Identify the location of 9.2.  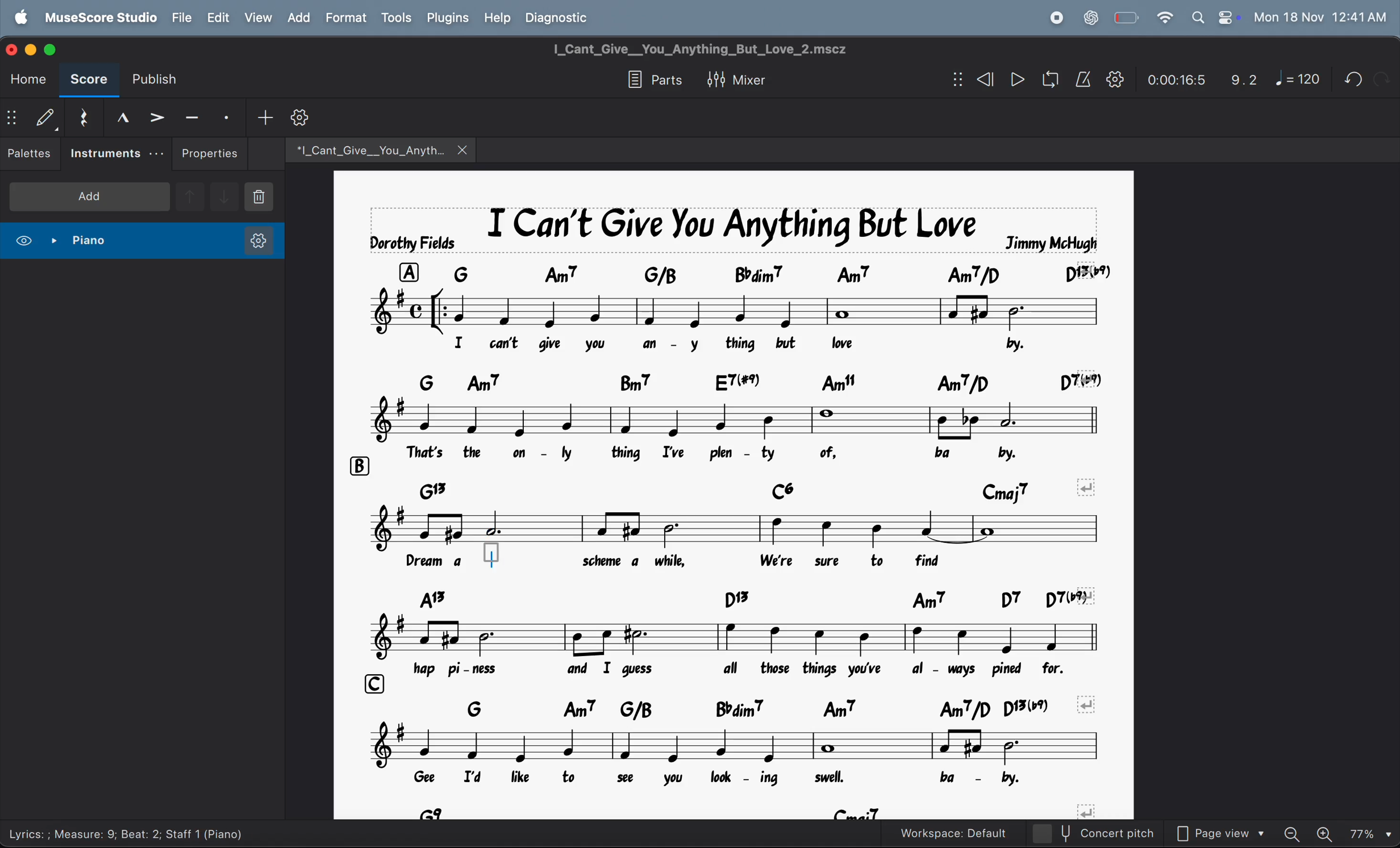
(1239, 80).